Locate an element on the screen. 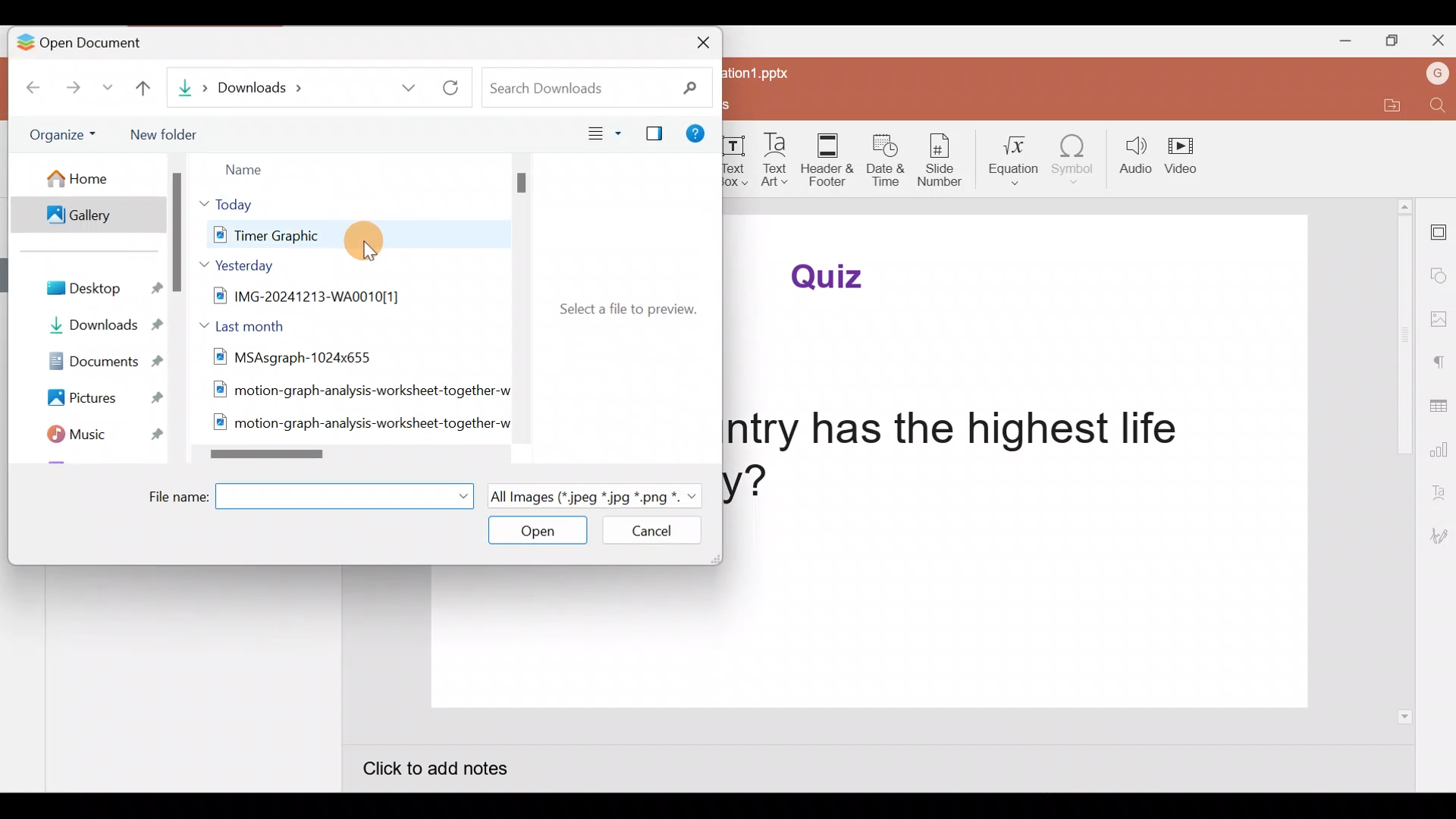 The height and width of the screenshot is (819, 1456). Scroll bar is located at coordinates (346, 457).